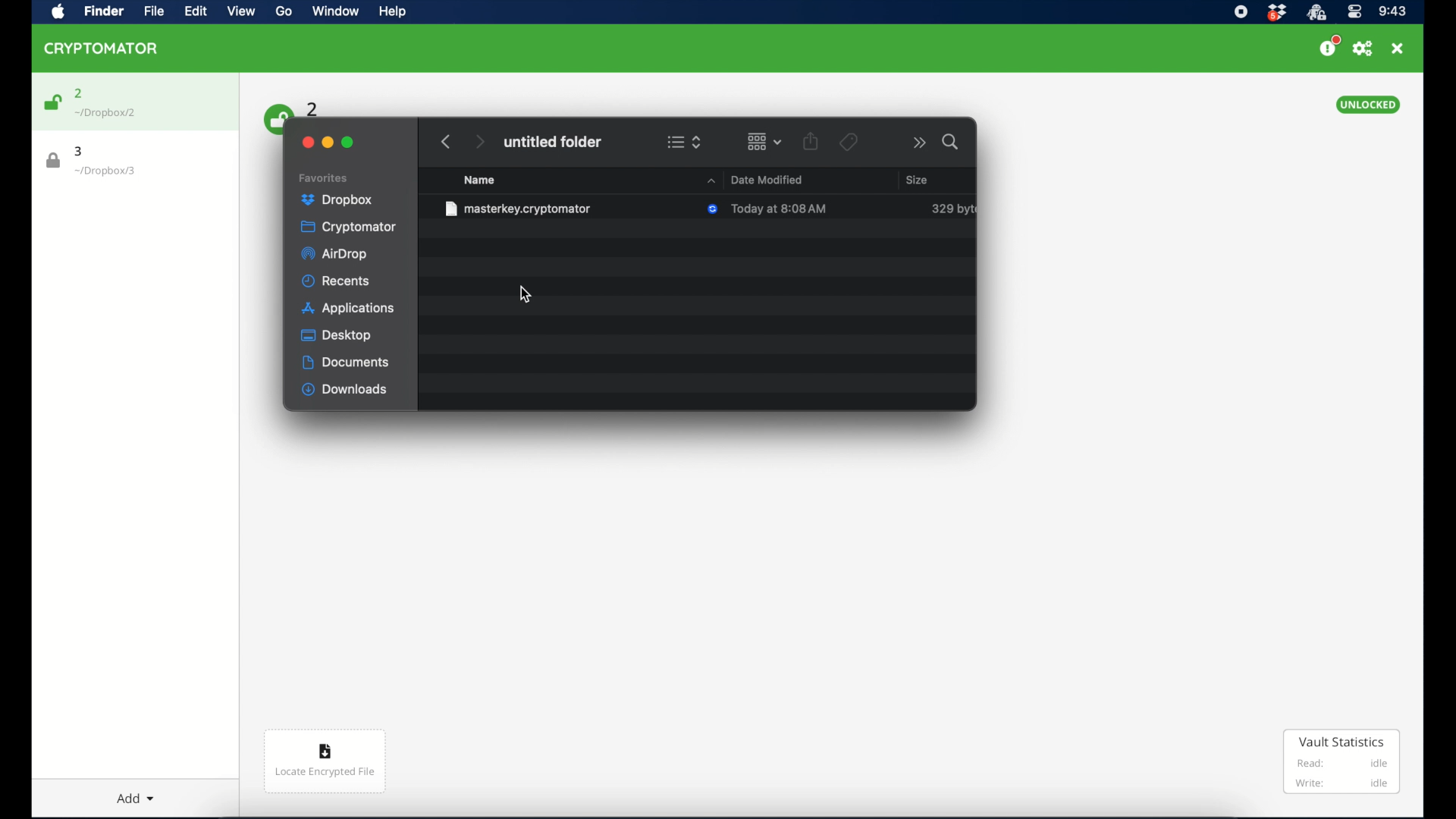 The image size is (1456, 819). What do you see at coordinates (479, 180) in the screenshot?
I see `name` at bounding box center [479, 180].